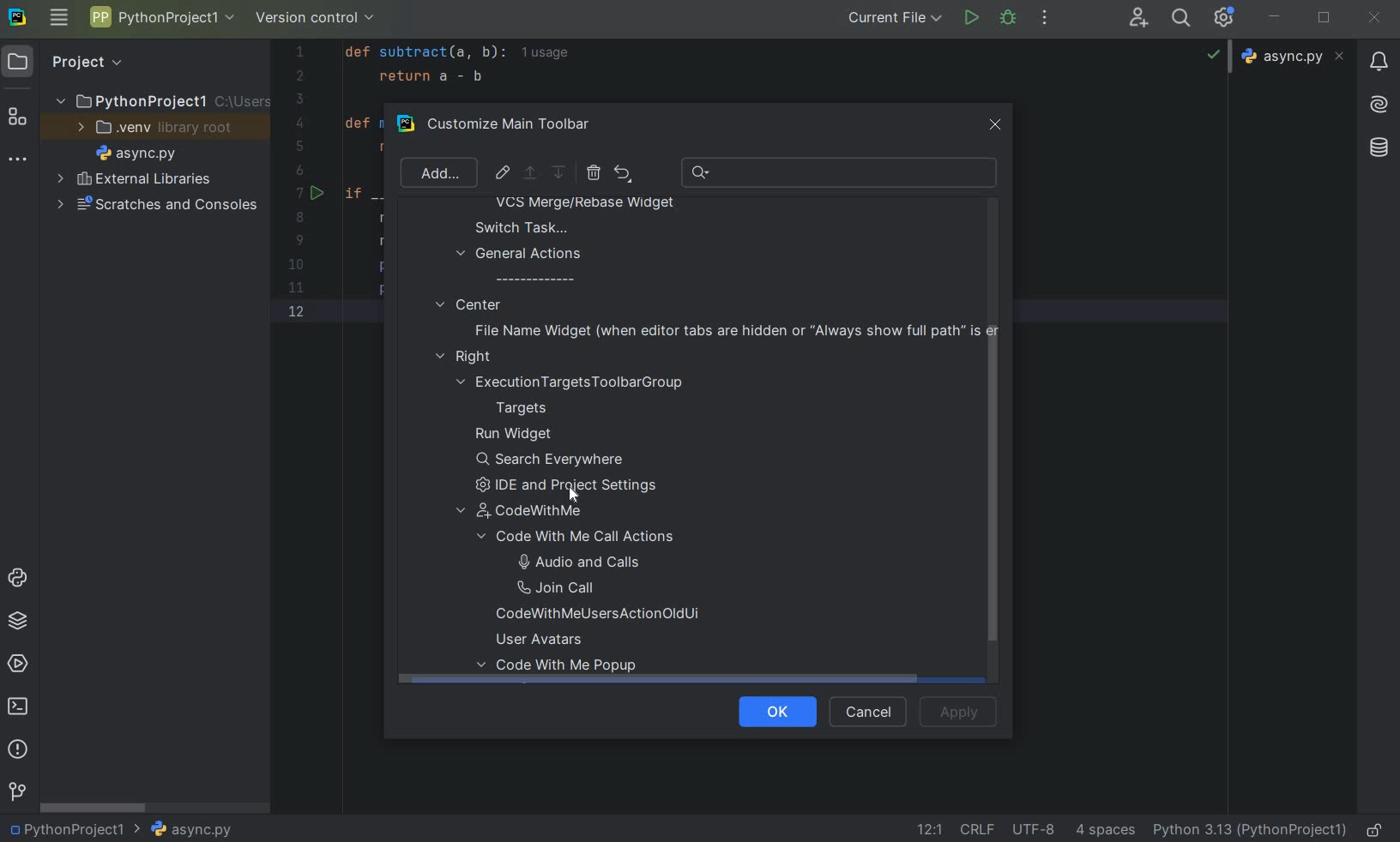 The width and height of the screenshot is (1400, 842). Describe the element at coordinates (20, 751) in the screenshot. I see `PROBLEMS` at that location.